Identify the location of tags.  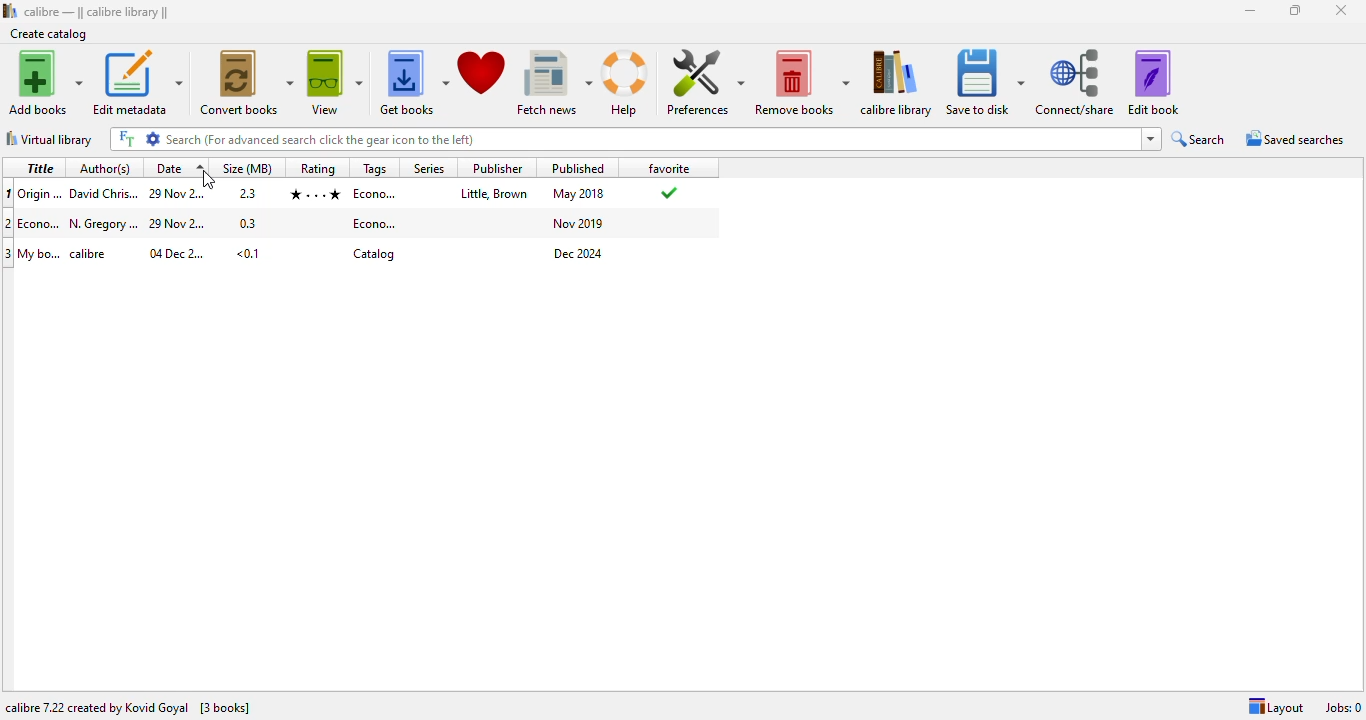
(374, 167).